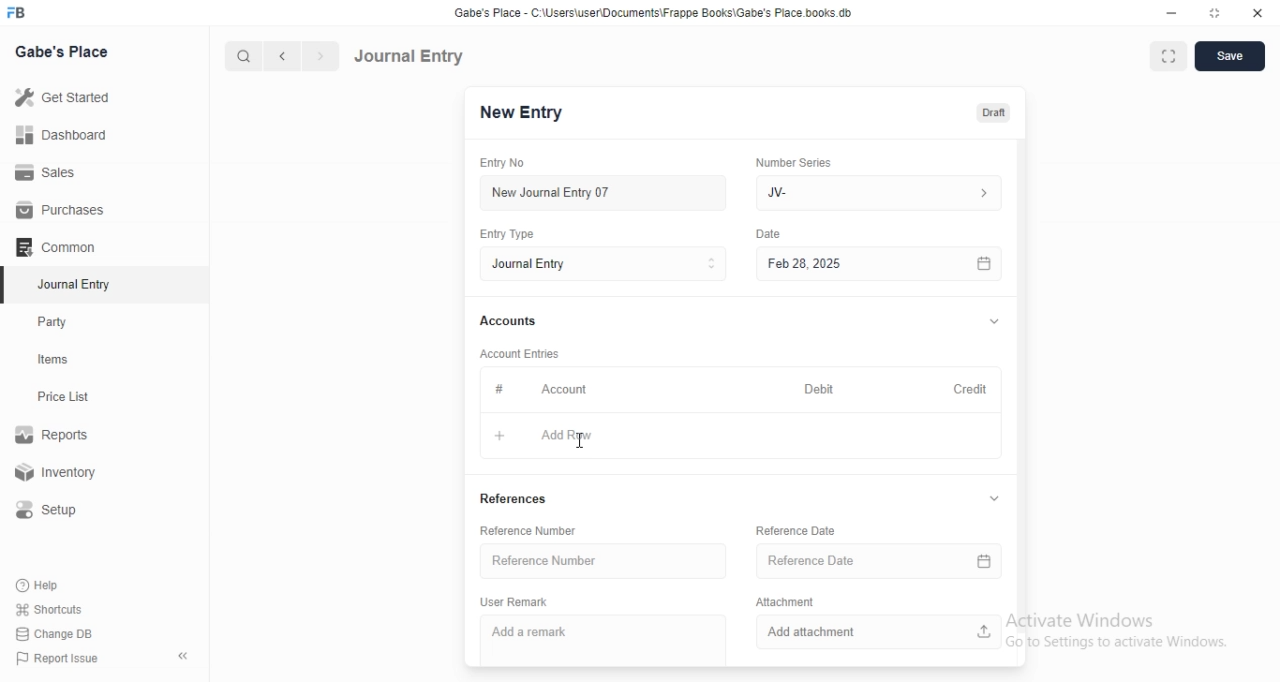 This screenshot has width=1280, height=682. Describe the element at coordinates (322, 56) in the screenshot. I see `forward` at that location.